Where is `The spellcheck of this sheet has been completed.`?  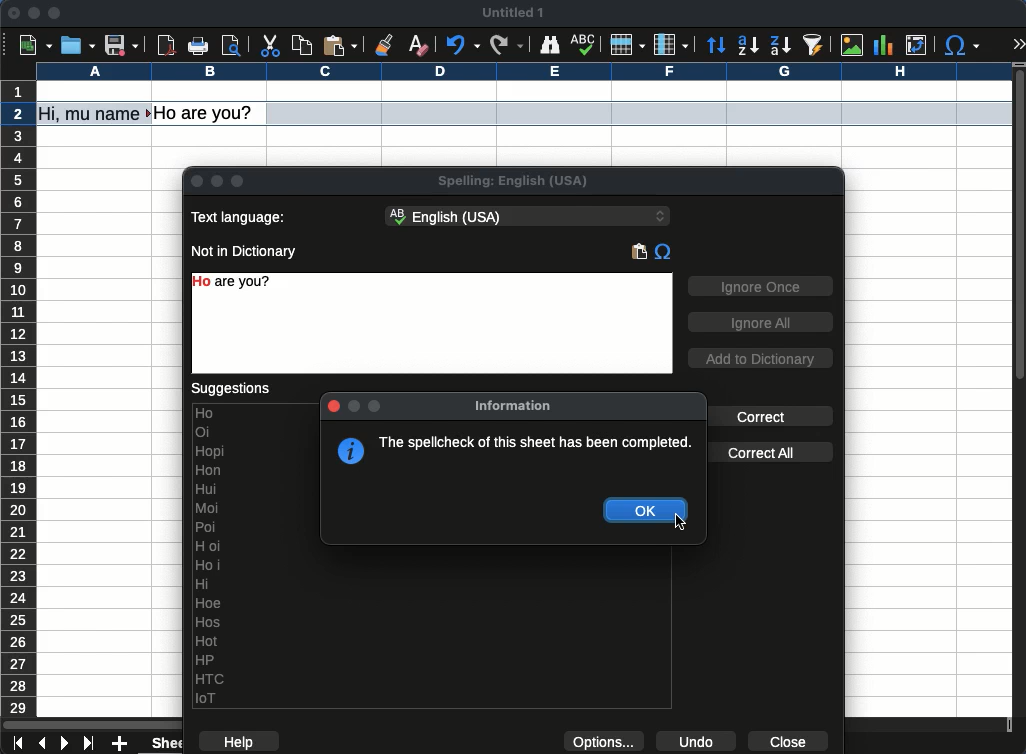
The spellcheck of this sheet has been completed. is located at coordinates (535, 442).